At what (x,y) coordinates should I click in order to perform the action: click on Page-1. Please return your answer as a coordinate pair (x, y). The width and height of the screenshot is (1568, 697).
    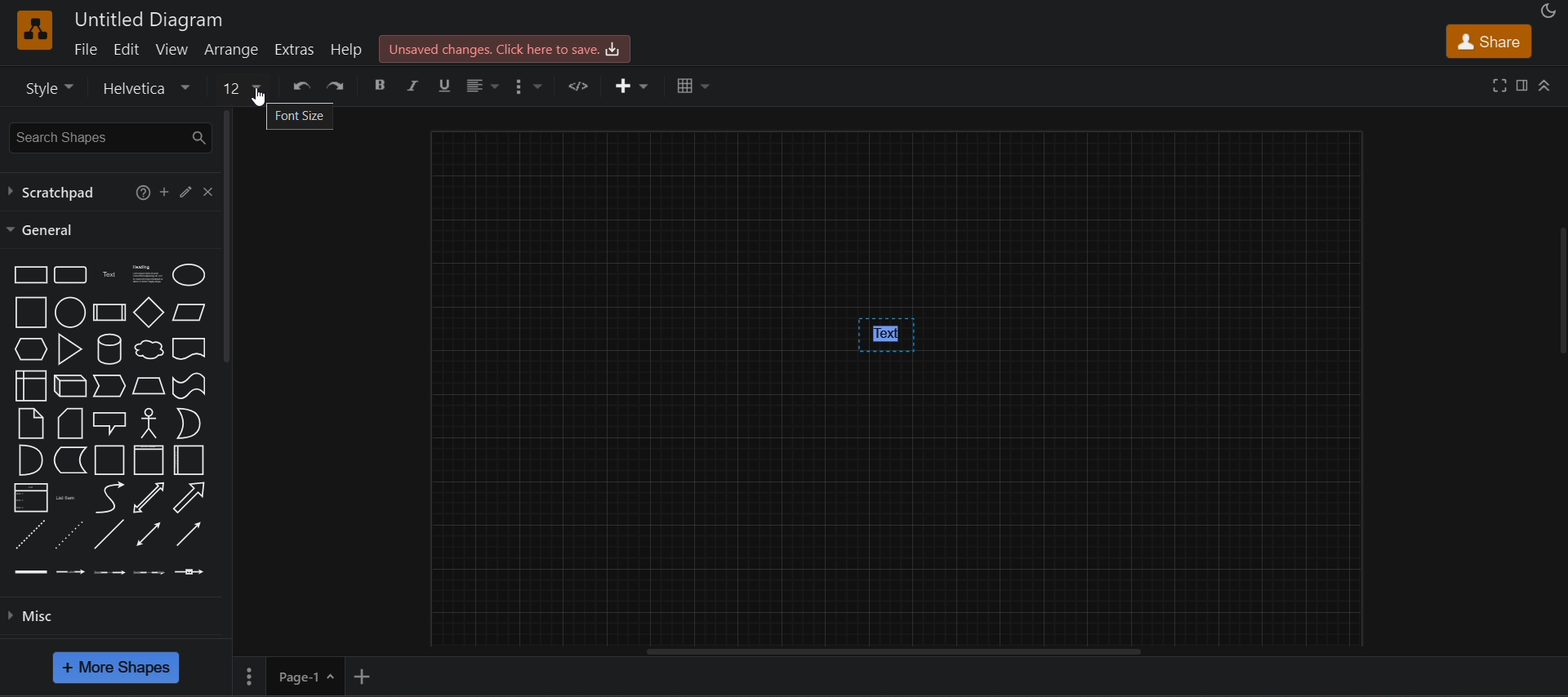
    Looking at the image, I should click on (292, 676).